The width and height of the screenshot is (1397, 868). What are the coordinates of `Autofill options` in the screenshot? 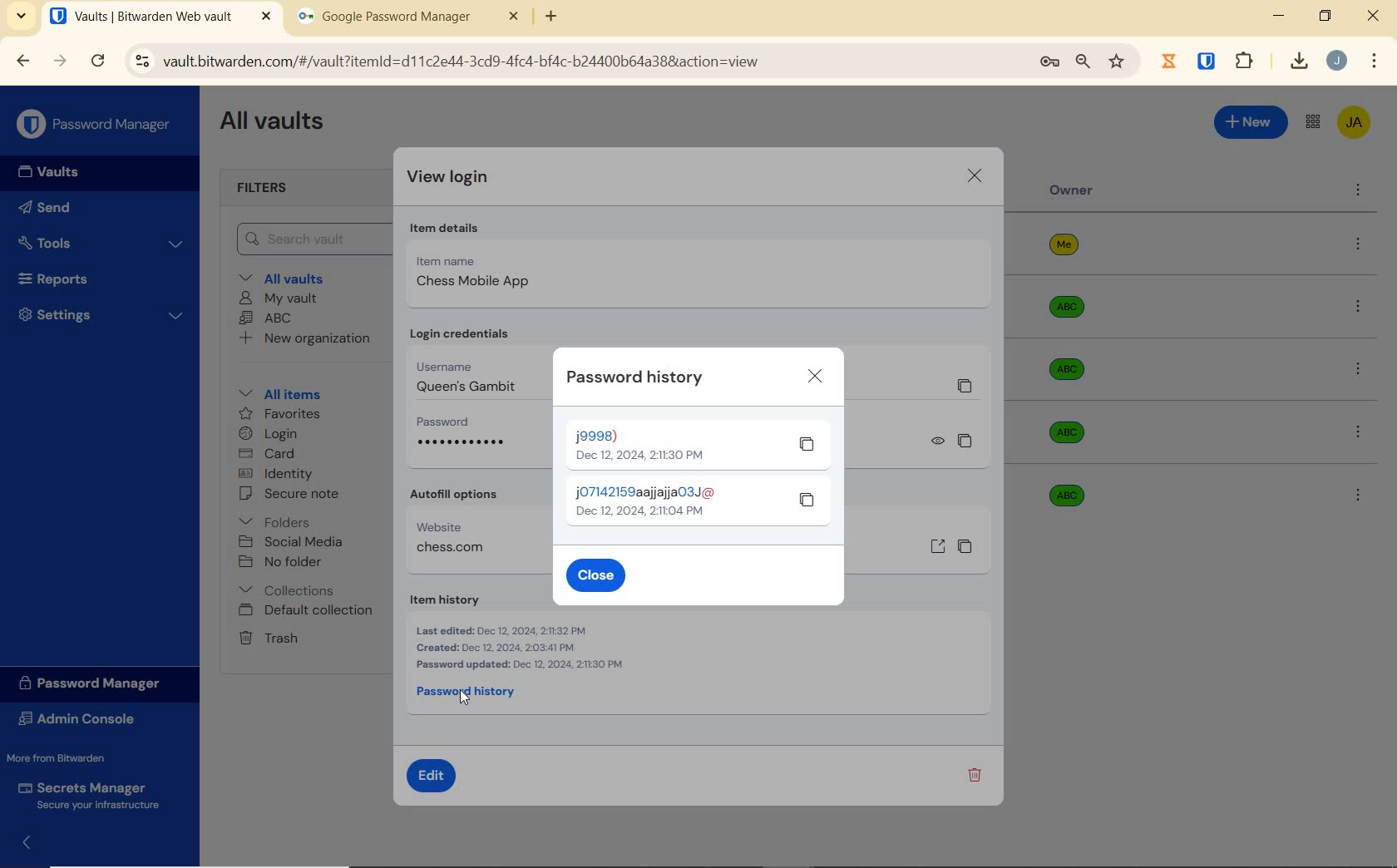 It's located at (474, 496).